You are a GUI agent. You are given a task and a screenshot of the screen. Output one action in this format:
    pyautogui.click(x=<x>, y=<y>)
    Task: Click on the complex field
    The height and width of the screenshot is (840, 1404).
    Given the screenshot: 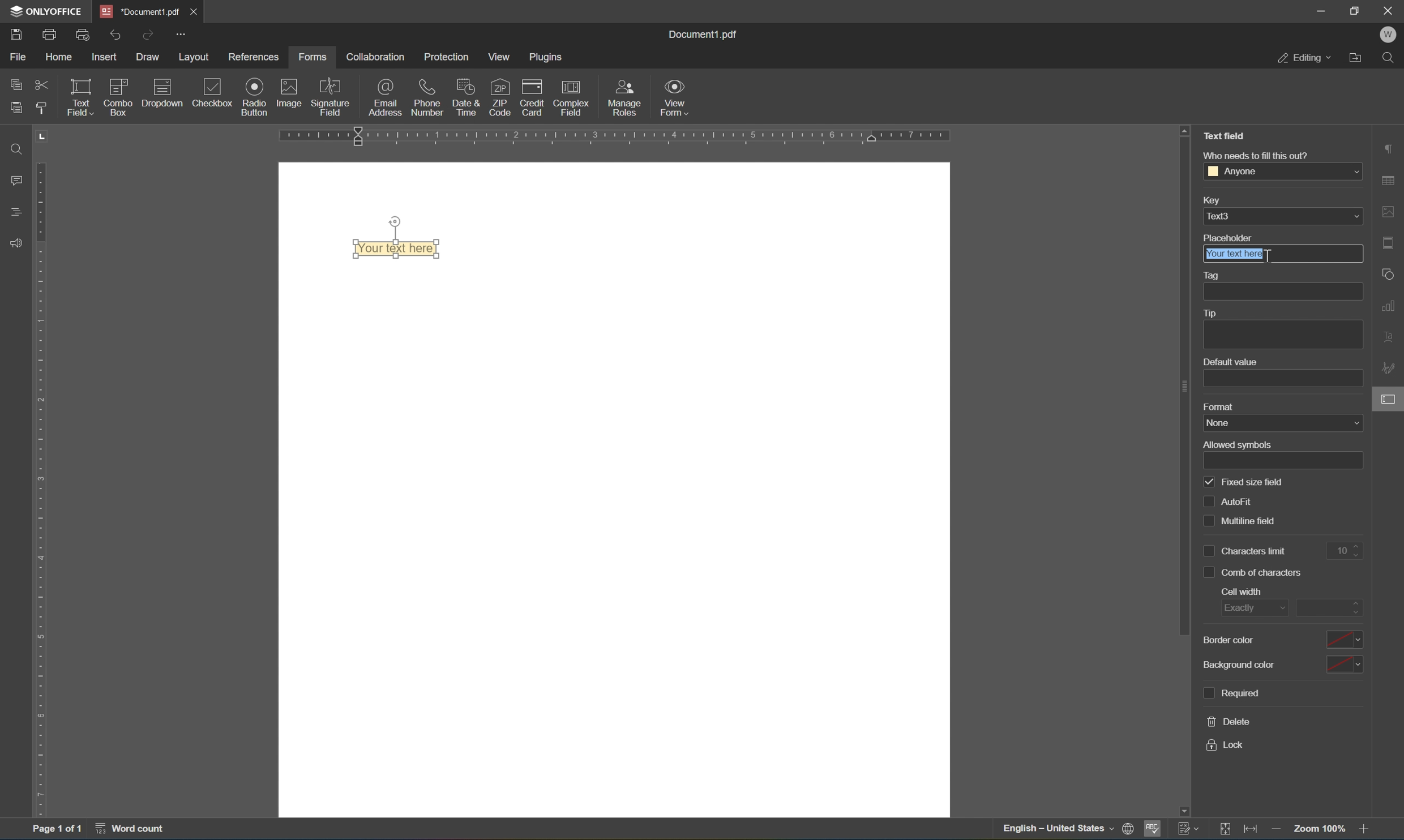 What is the action you would take?
    pyautogui.click(x=577, y=98)
    